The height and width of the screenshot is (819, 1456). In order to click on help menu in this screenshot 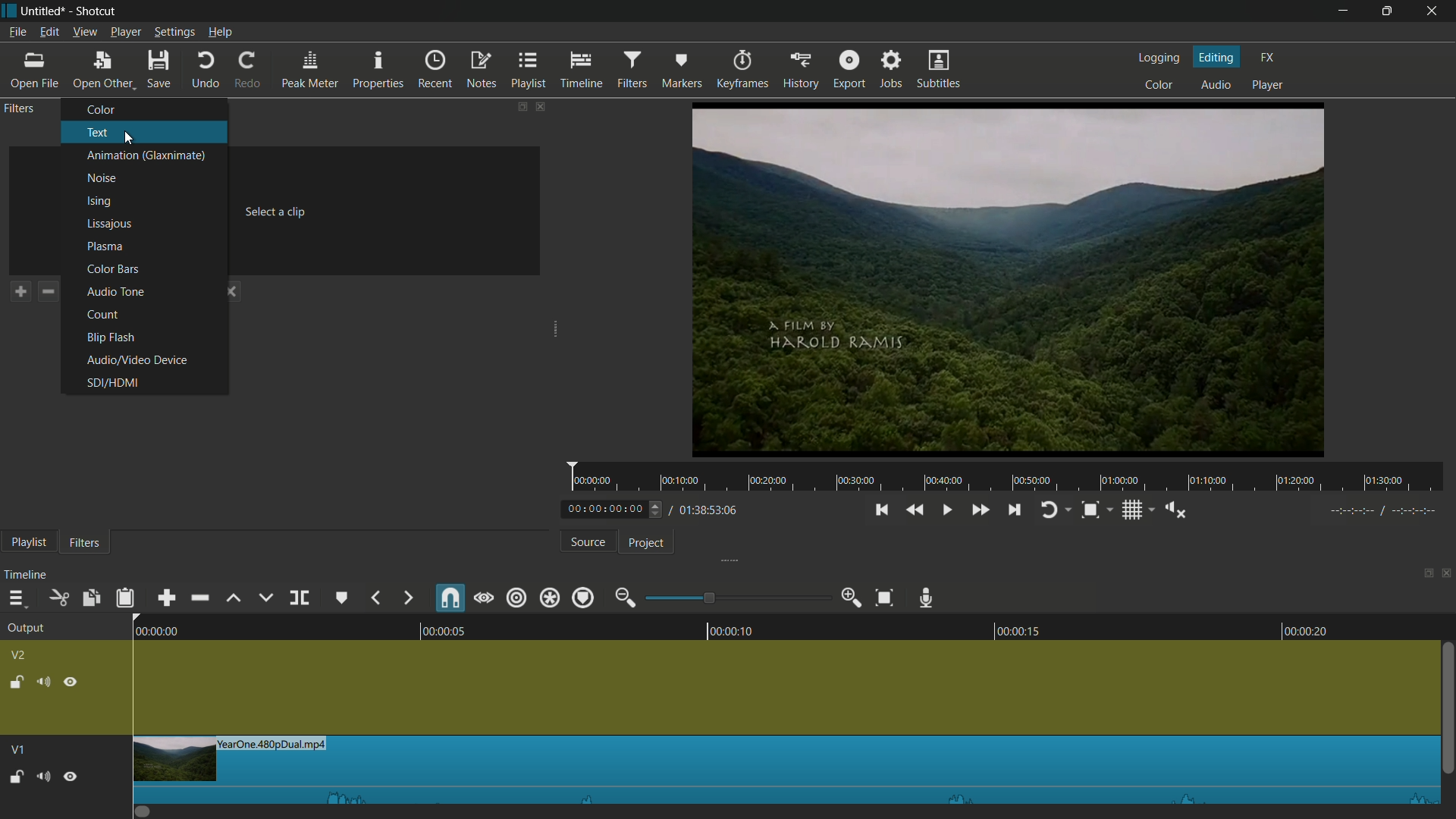, I will do `click(220, 32)`.